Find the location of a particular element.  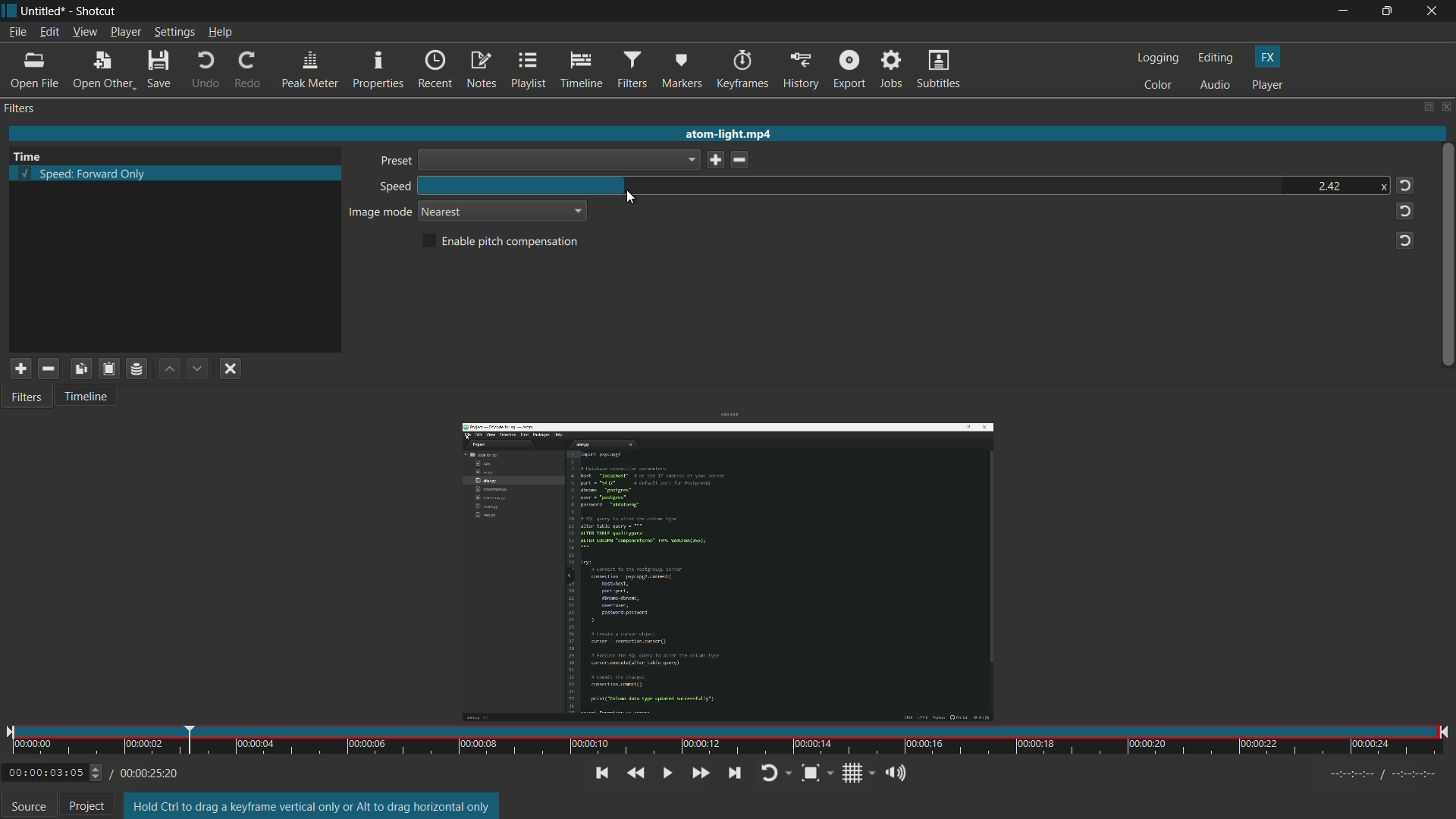

delete is located at coordinates (742, 160).